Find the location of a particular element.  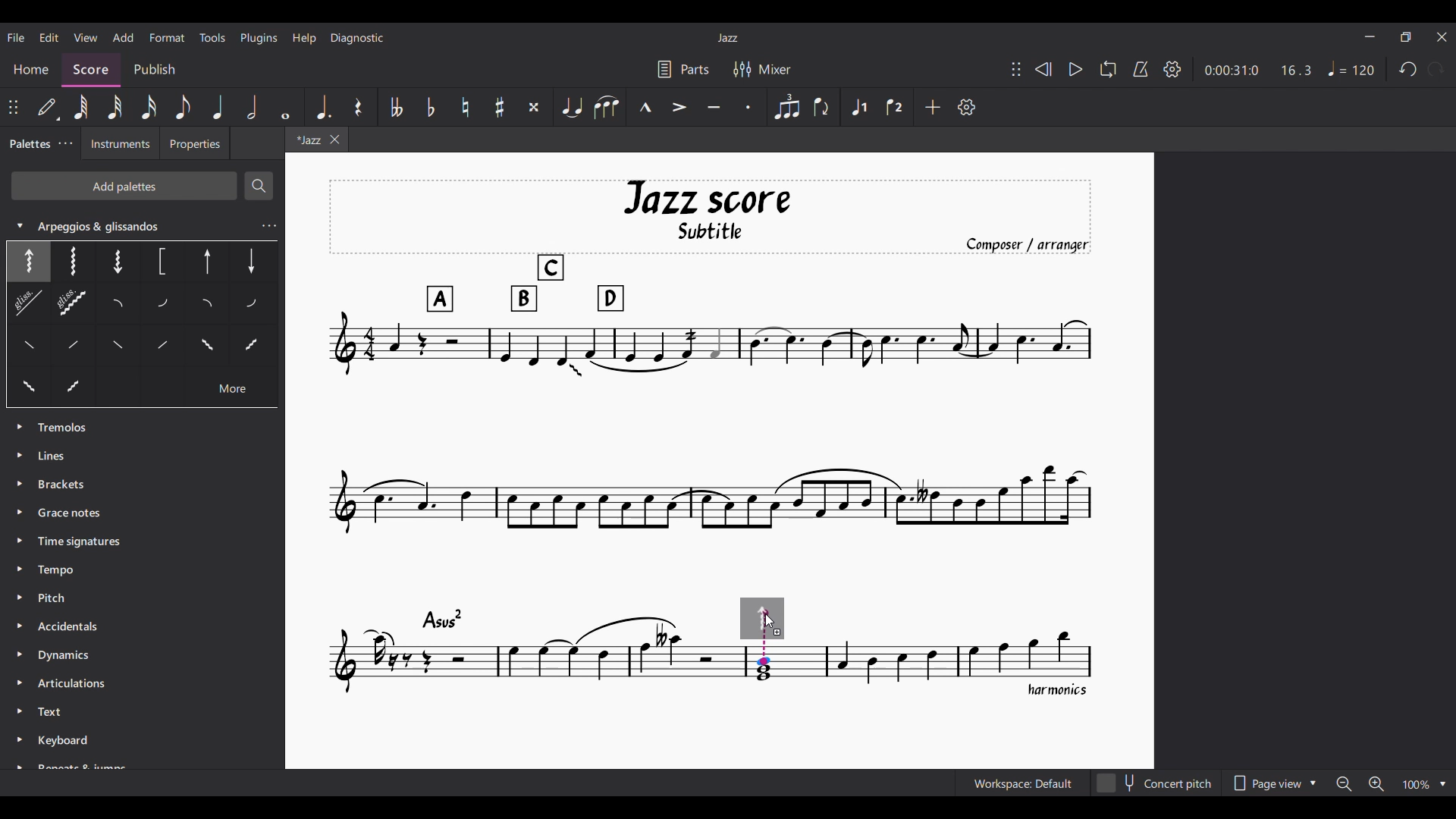

Close interface  is located at coordinates (1442, 37).